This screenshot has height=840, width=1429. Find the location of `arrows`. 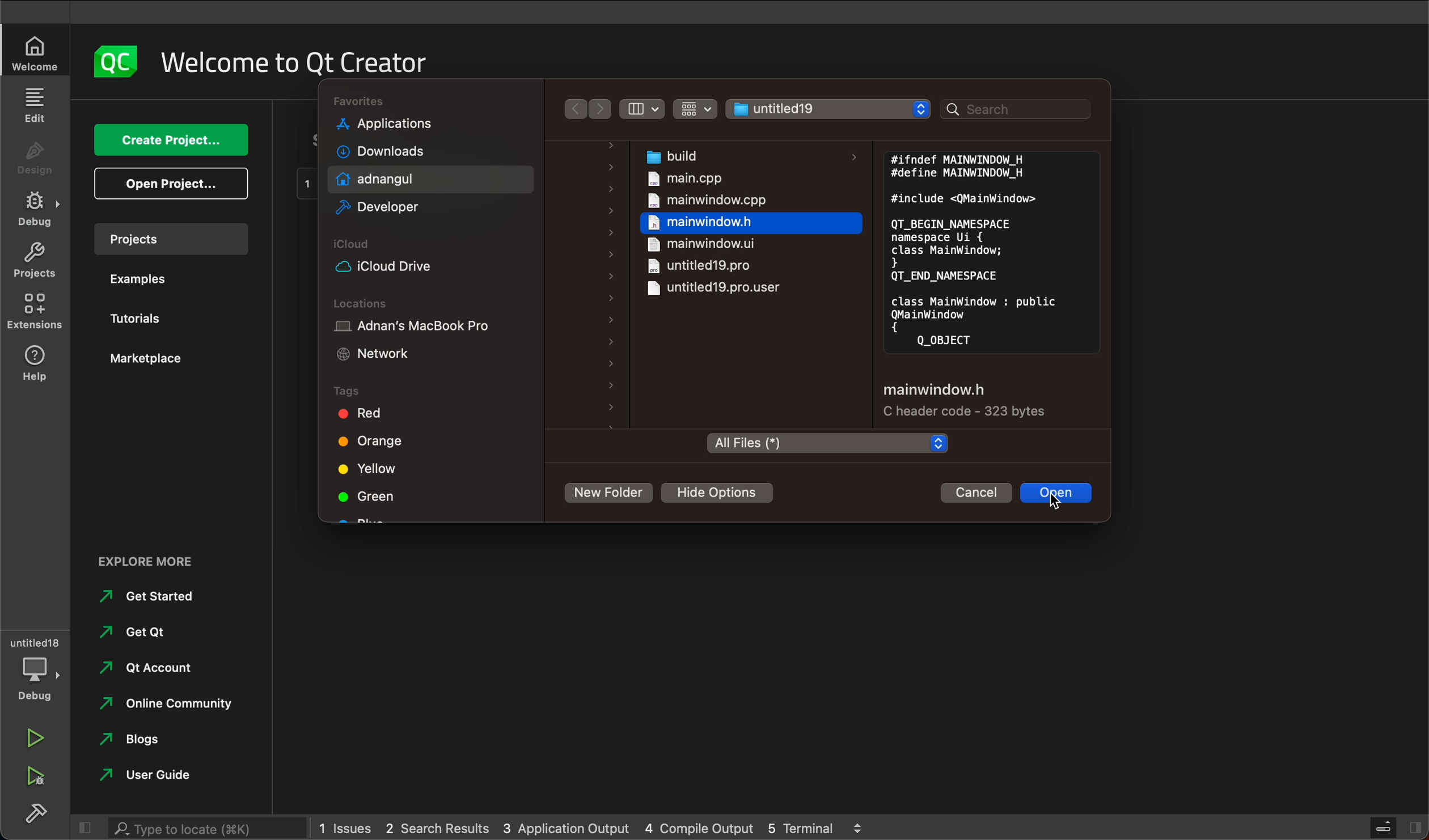

arrows is located at coordinates (589, 109).